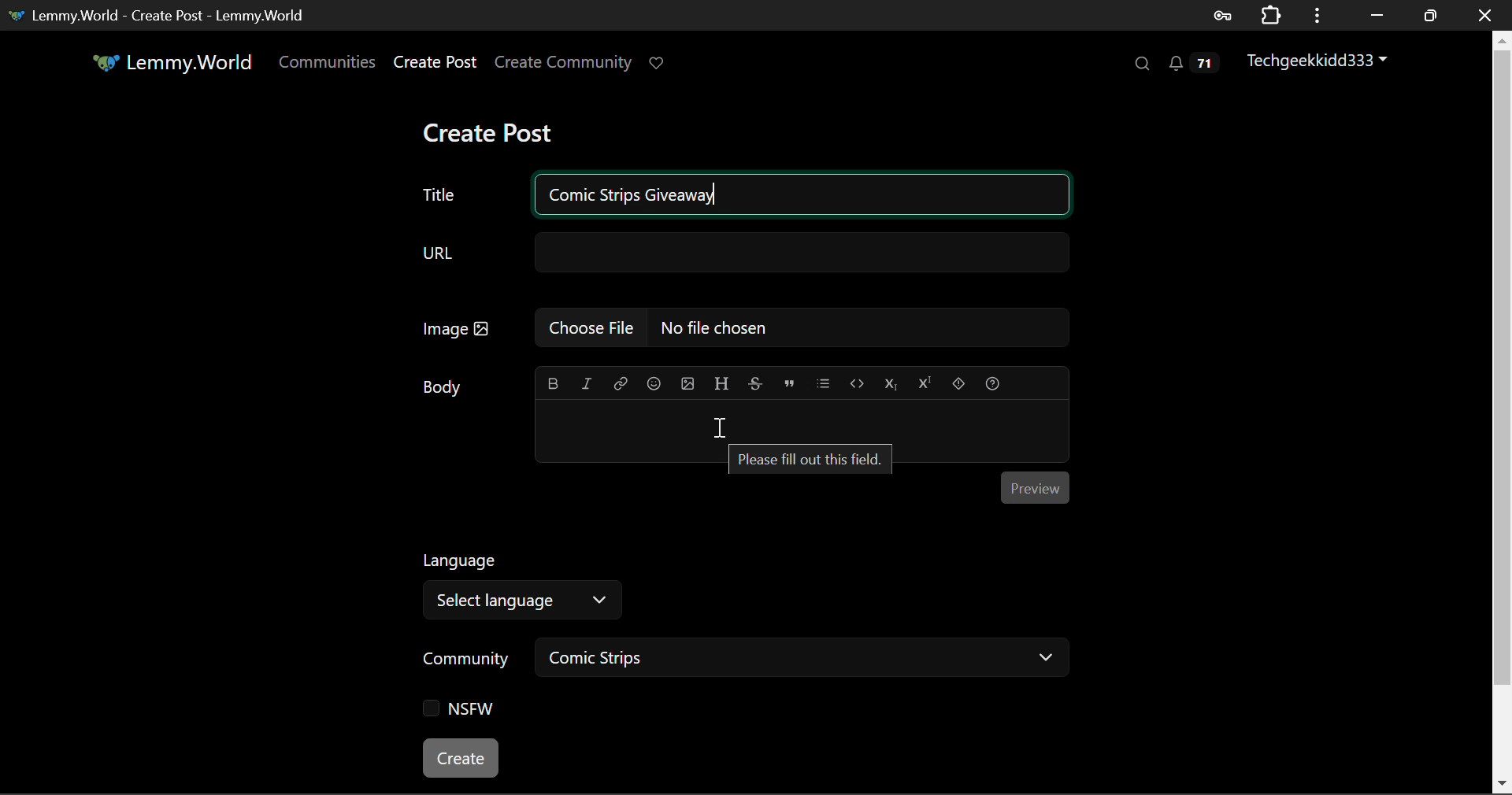  What do you see at coordinates (459, 708) in the screenshot?
I see `NSFW` at bounding box center [459, 708].